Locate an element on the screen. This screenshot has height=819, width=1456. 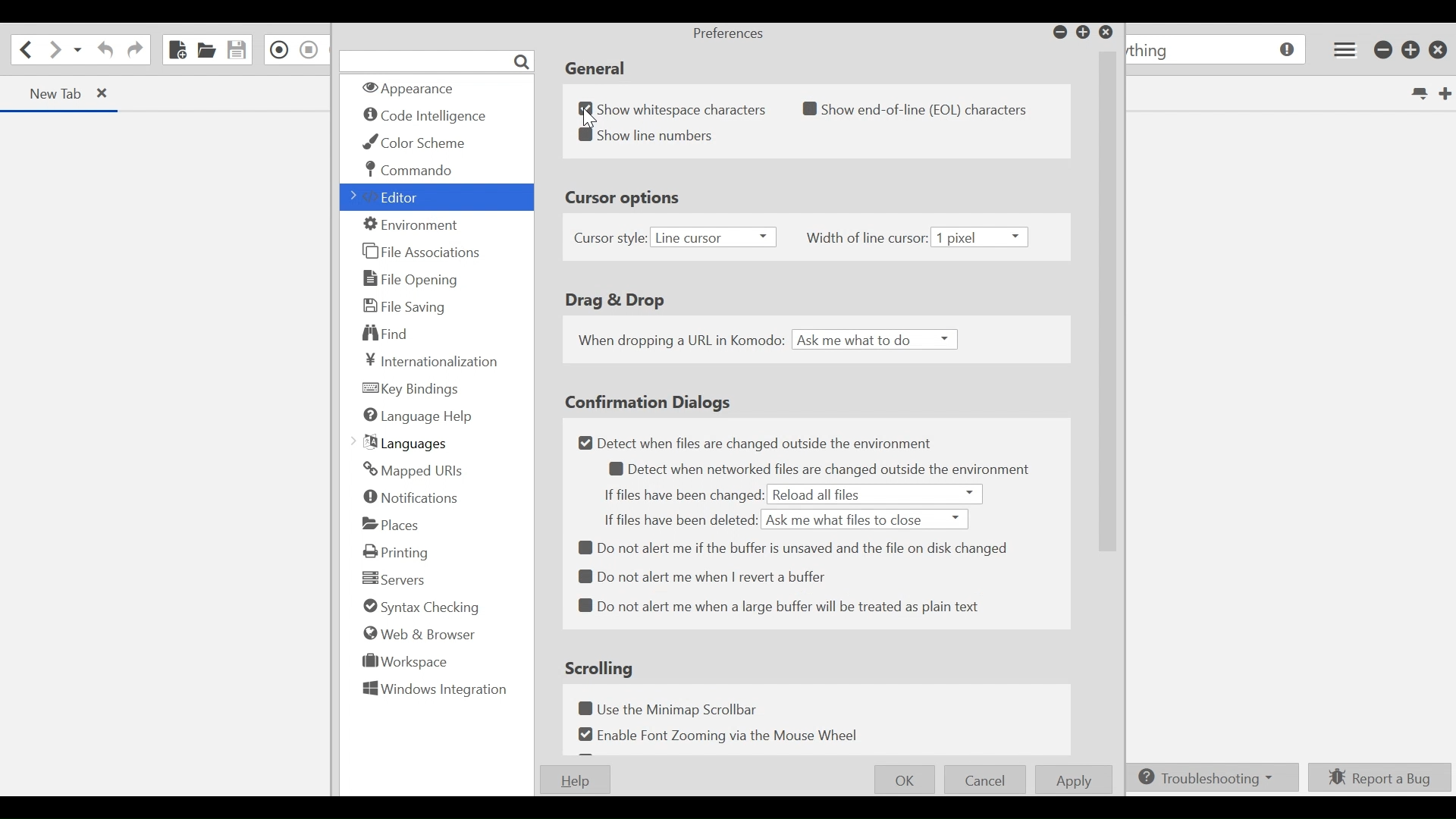
show end-of-line (EoL) characters is located at coordinates (923, 109).